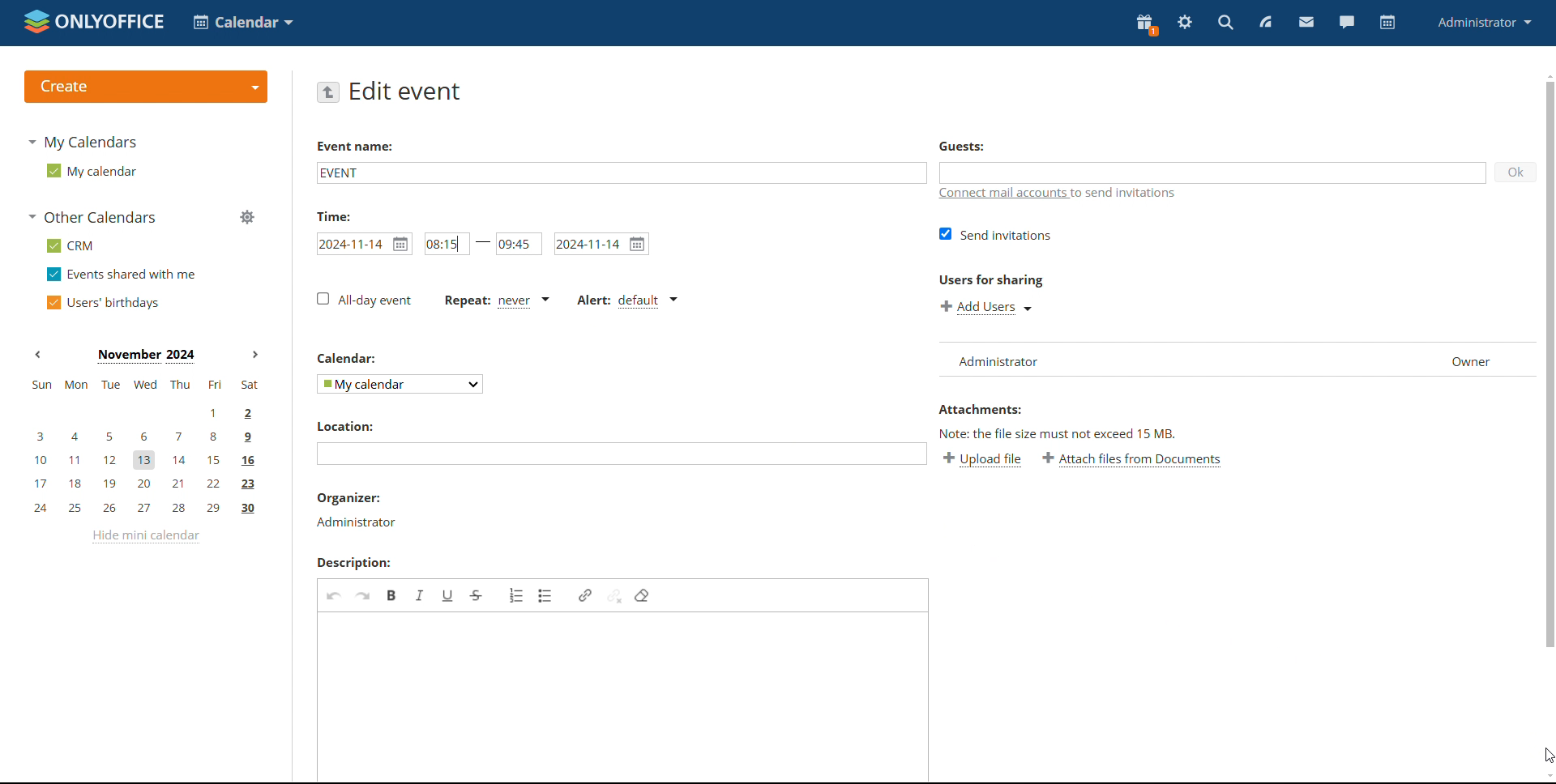 The image size is (1556, 784). What do you see at coordinates (516, 594) in the screenshot?
I see `insert/remove numbered list` at bounding box center [516, 594].